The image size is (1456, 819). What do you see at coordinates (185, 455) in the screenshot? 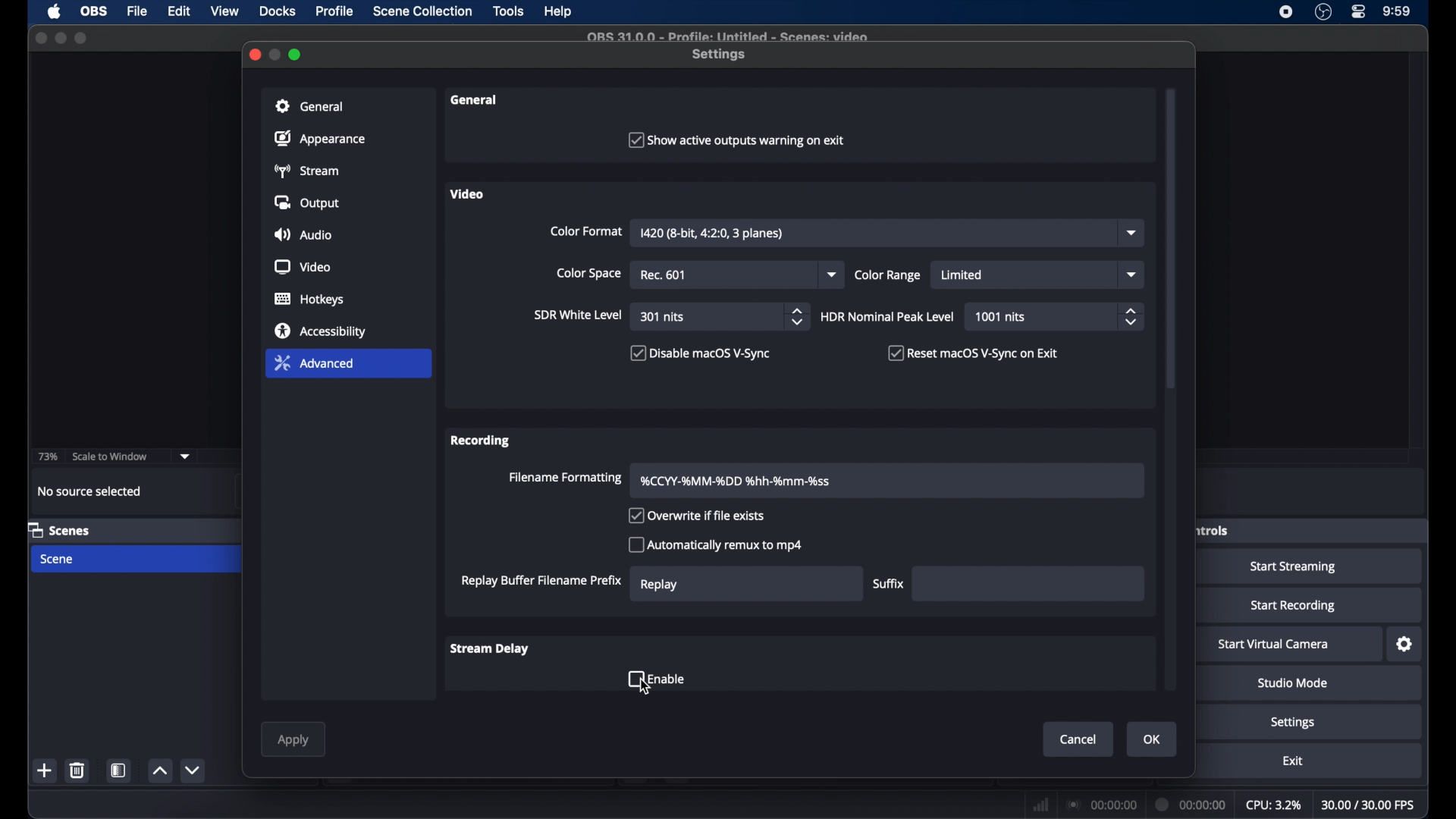
I see `dropdown` at bounding box center [185, 455].